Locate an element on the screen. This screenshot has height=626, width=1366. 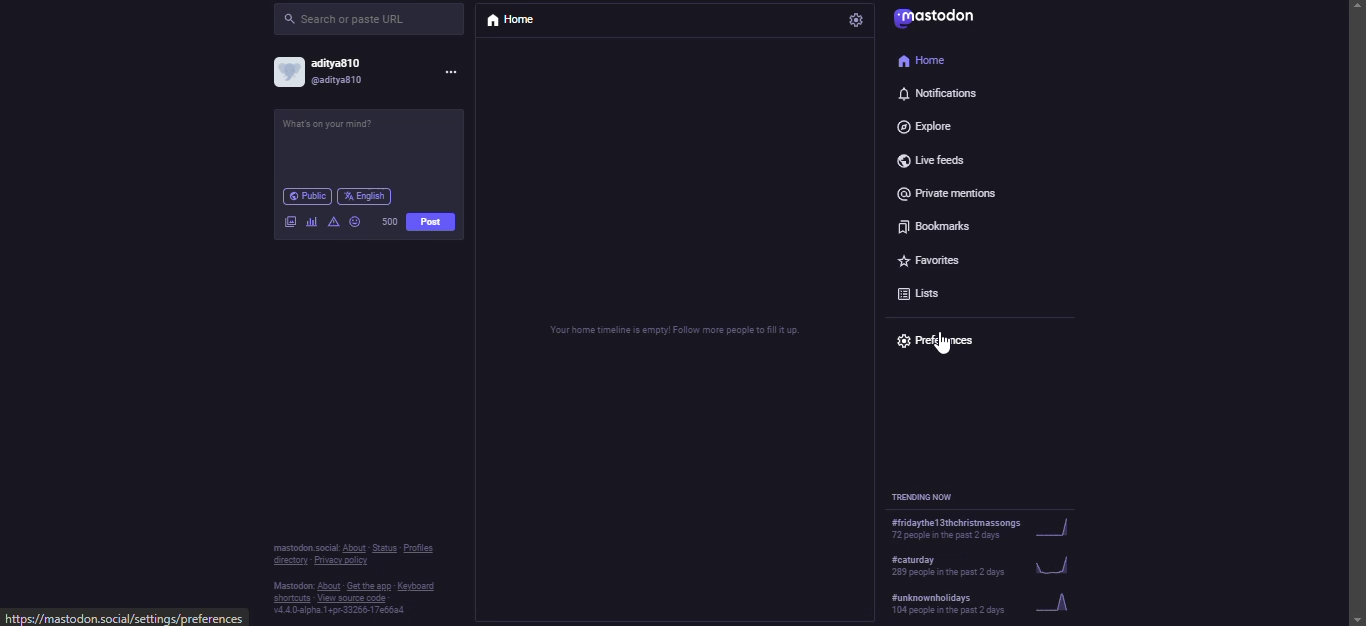
private mentions is located at coordinates (950, 192).